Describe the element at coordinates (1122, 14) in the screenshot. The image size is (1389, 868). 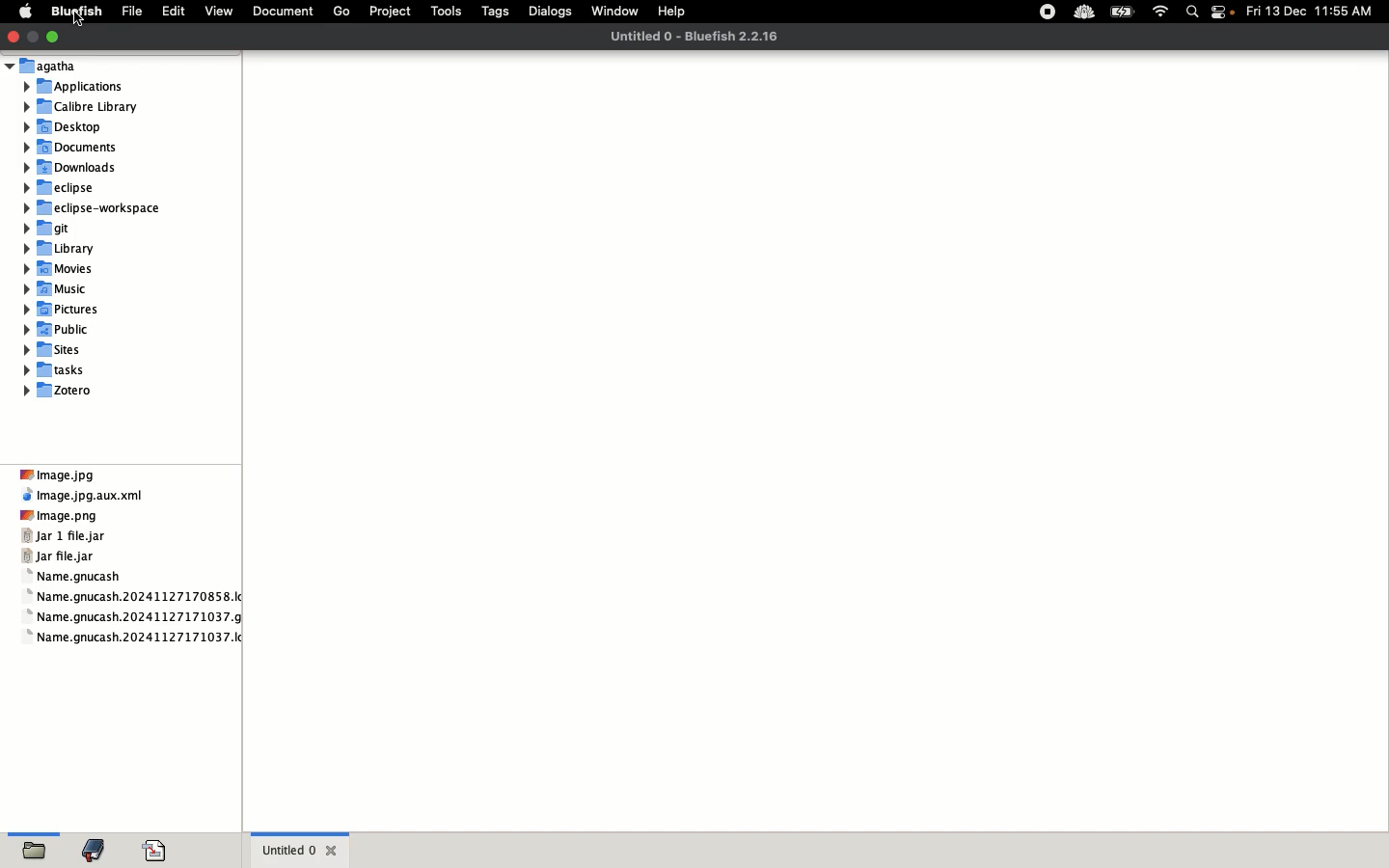
I see `Charge` at that location.